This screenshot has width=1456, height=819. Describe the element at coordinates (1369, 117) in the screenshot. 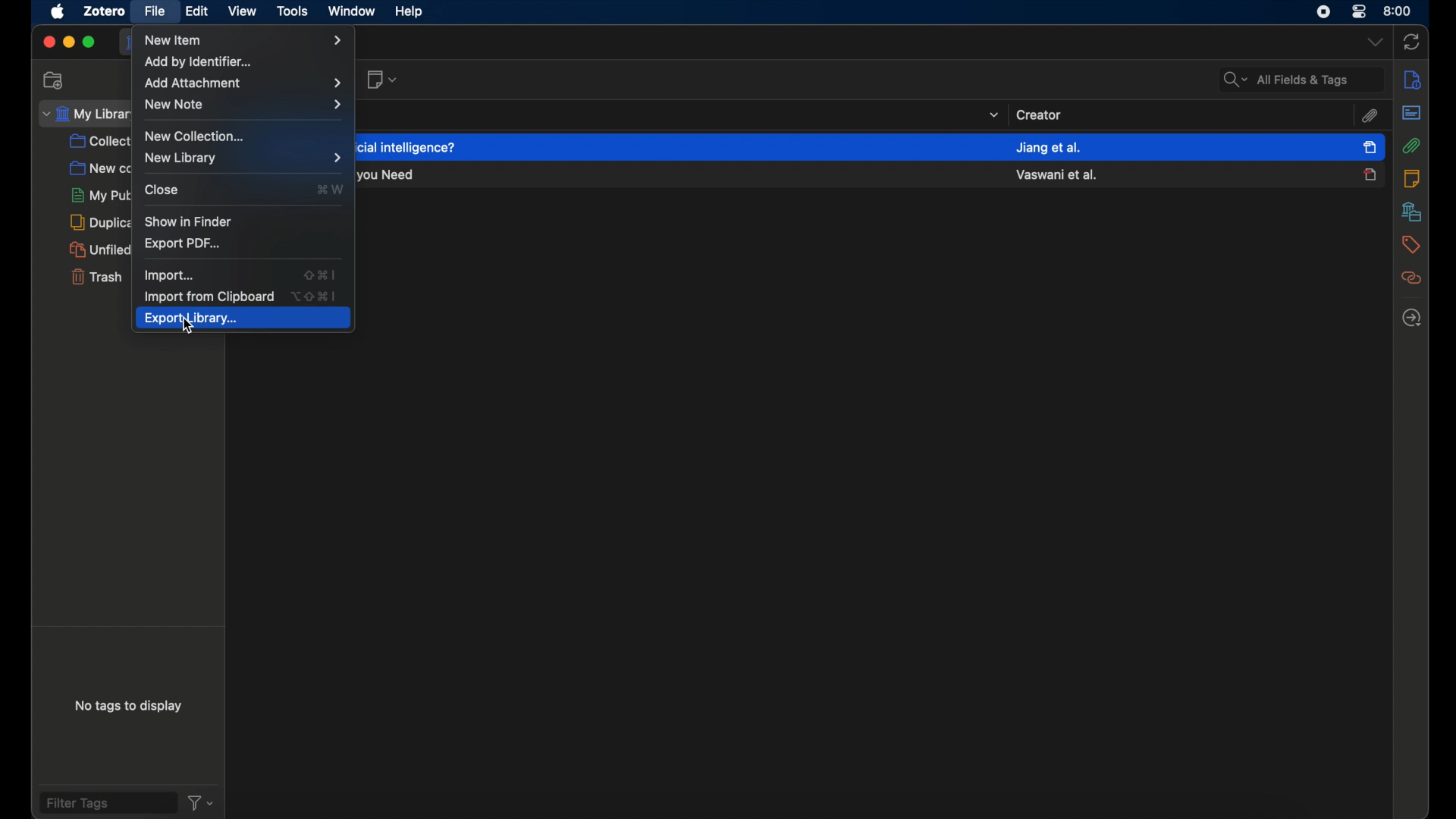

I see `attachments` at that location.